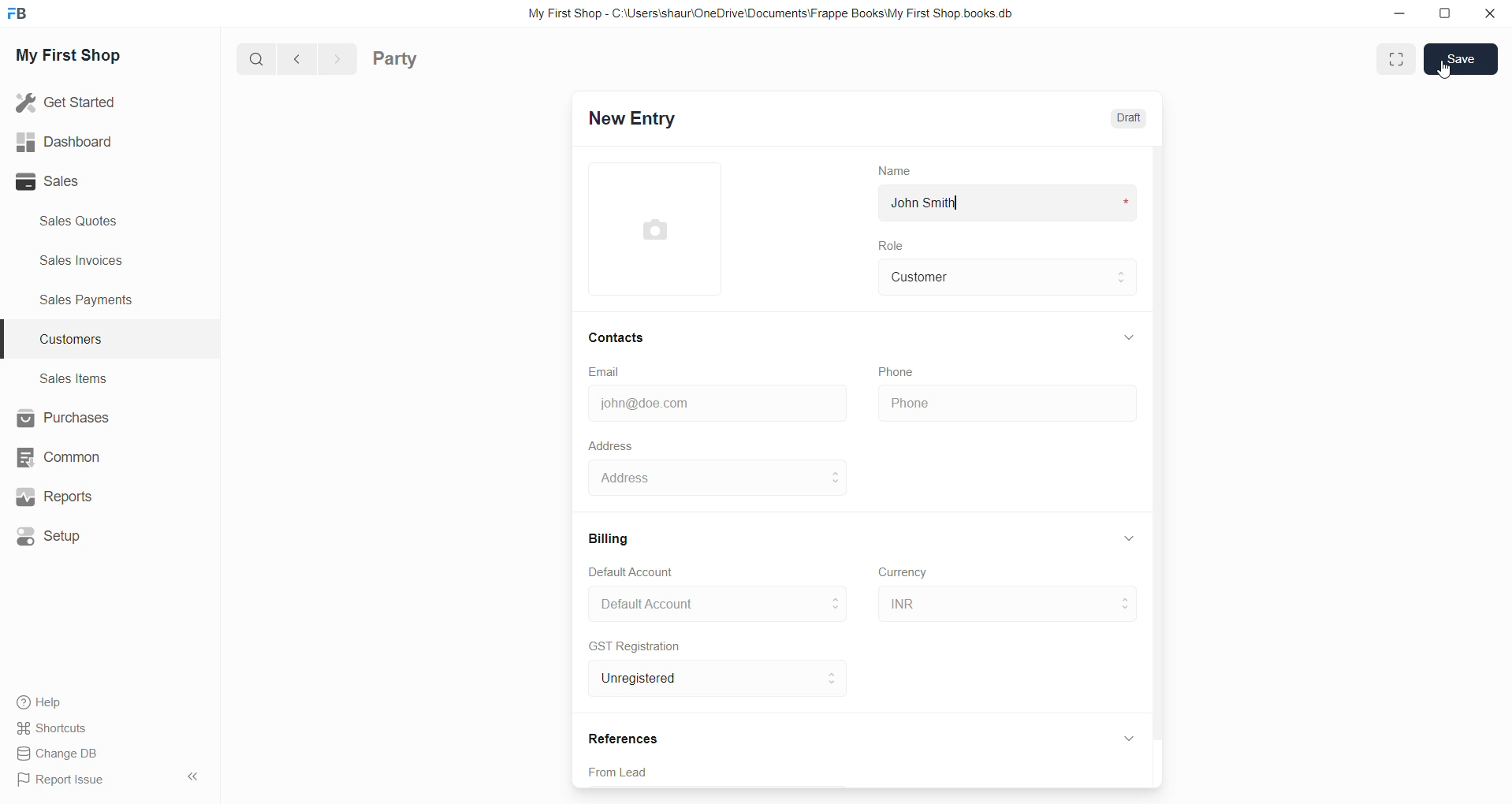  What do you see at coordinates (73, 378) in the screenshot?
I see `sales items` at bounding box center [73, 378].